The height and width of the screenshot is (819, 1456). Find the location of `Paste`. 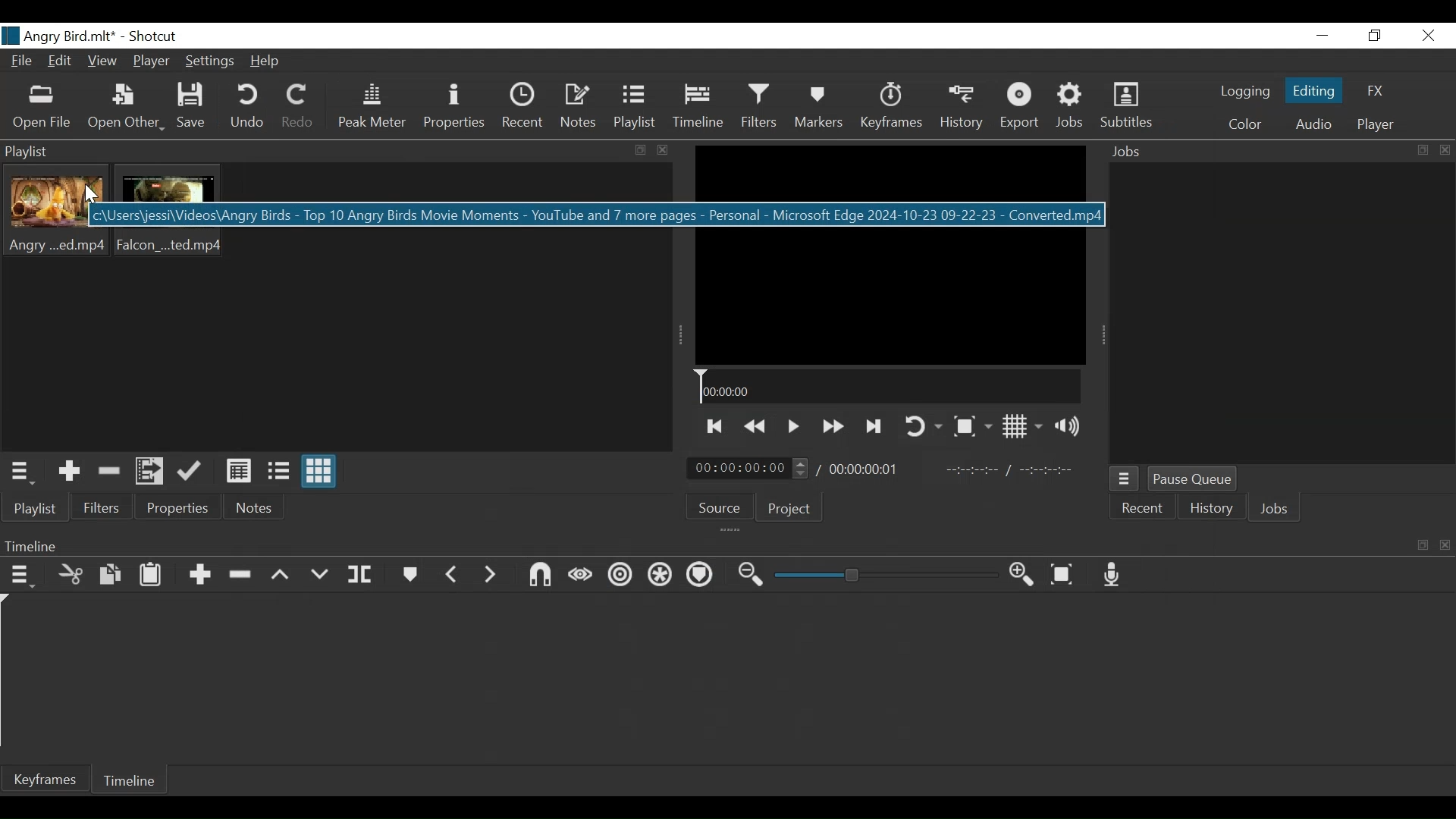

Paste is located at coordinates (153, 576).